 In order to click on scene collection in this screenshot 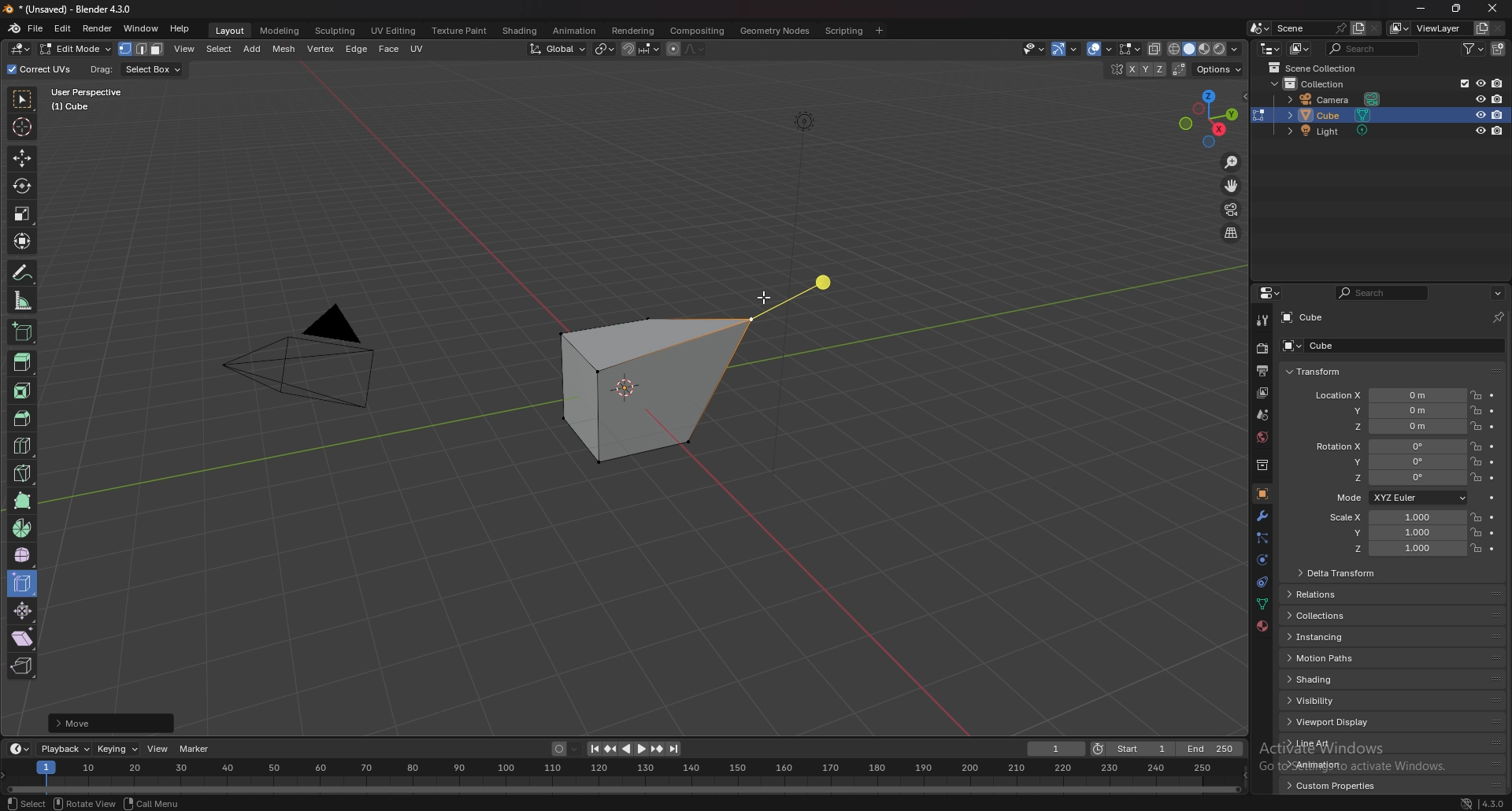, I will do `click(1321, 67)`.